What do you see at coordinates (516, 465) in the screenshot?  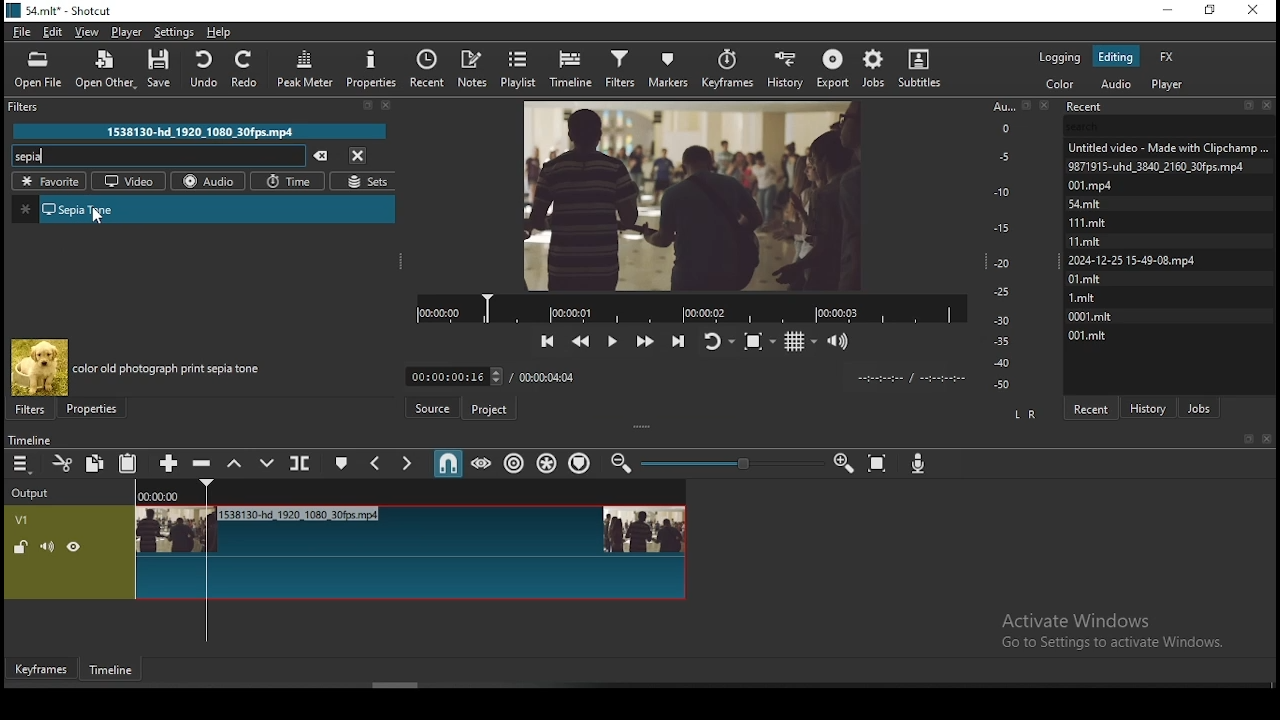 I see `ripple` at bounding box center [516, 465].